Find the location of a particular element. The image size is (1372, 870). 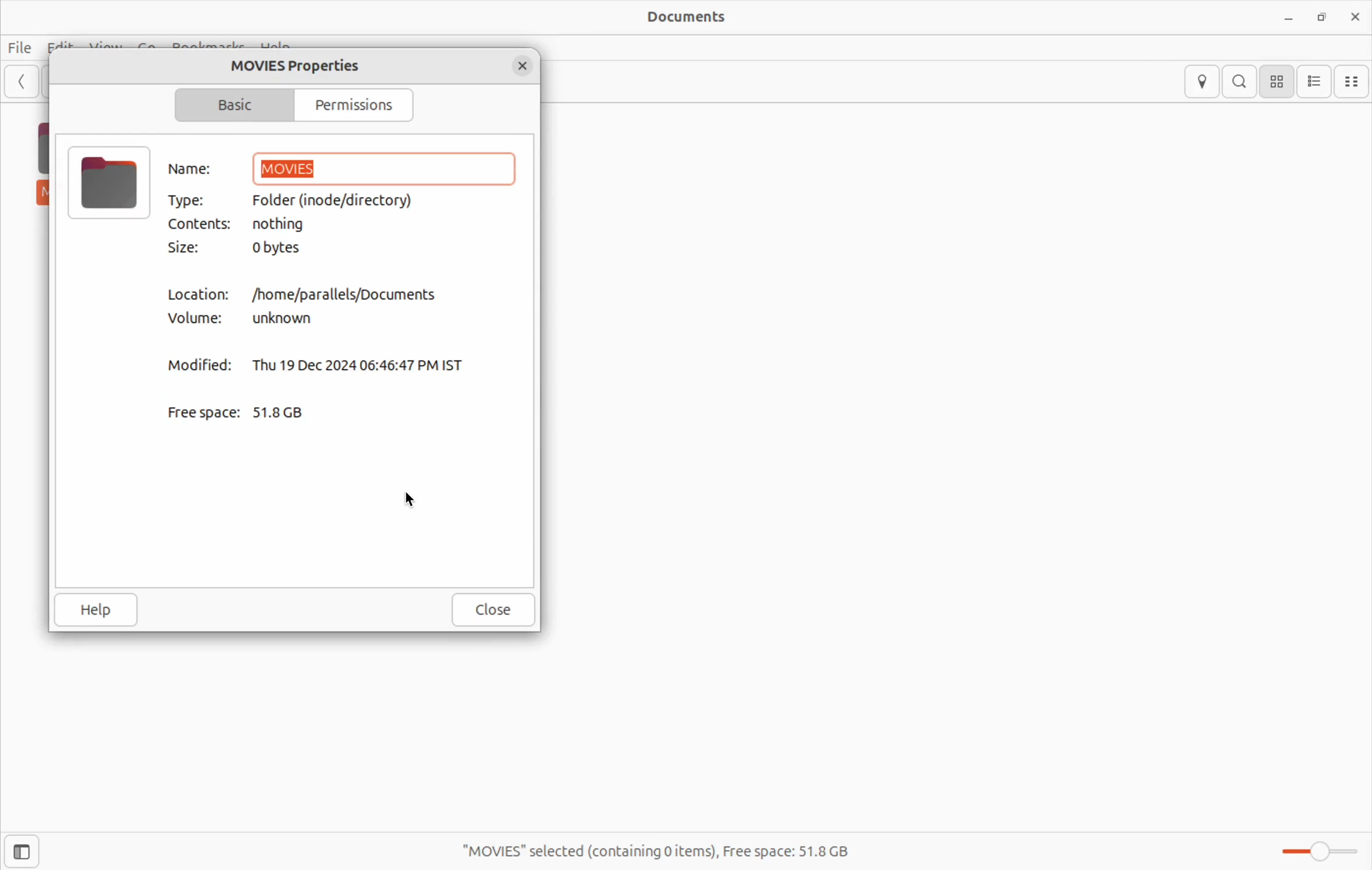

"MOVIES" selected (containing 0 items), Free space: 51.8 GB is located at coordinates (667, 847).